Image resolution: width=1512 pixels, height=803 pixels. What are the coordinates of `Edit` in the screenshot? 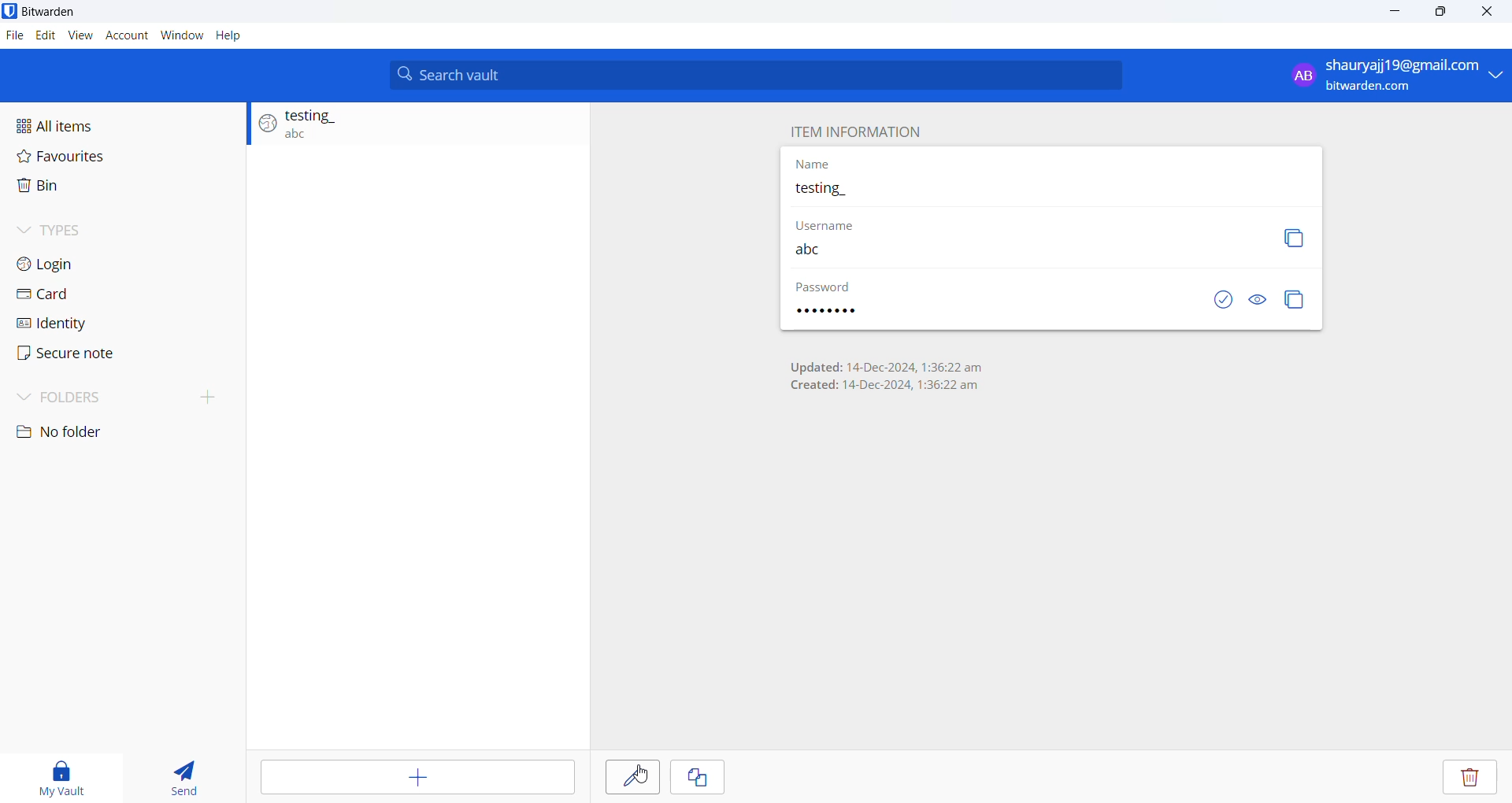 It's located at (632, 776).